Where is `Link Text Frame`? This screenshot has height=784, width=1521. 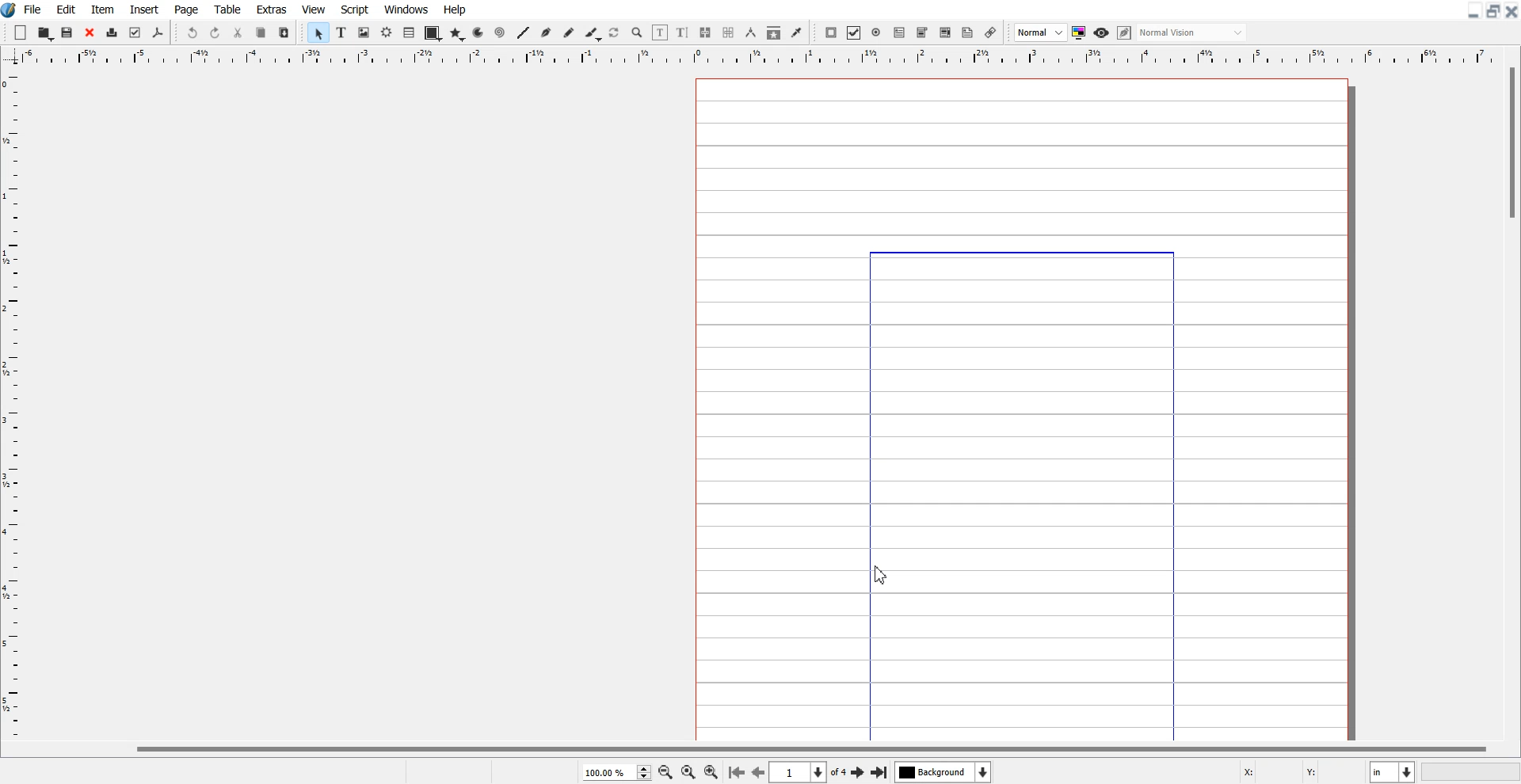
Link Text Frame is located at coordinates (705, 32).